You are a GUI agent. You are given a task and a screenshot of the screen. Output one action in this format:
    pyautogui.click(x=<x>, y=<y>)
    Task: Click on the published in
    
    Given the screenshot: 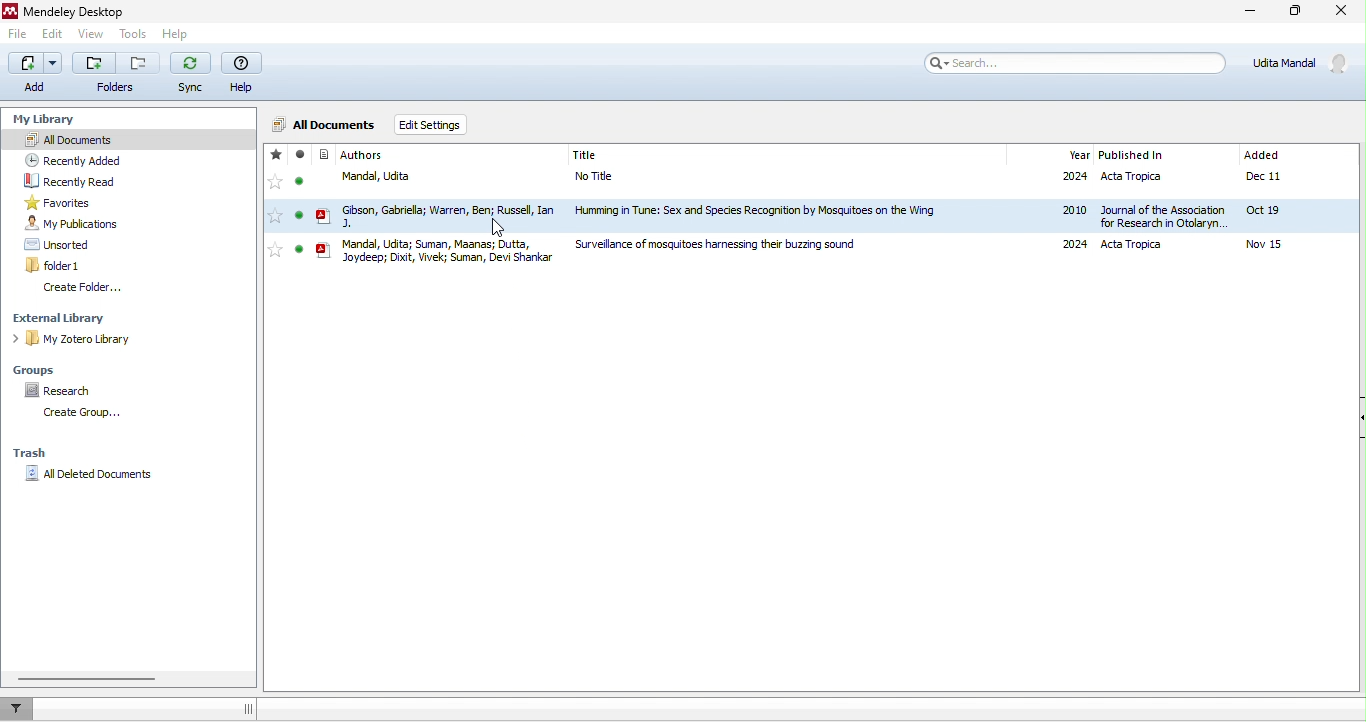 What is the action you would take?
    pyautogui.click(x=1132, y=154)
    